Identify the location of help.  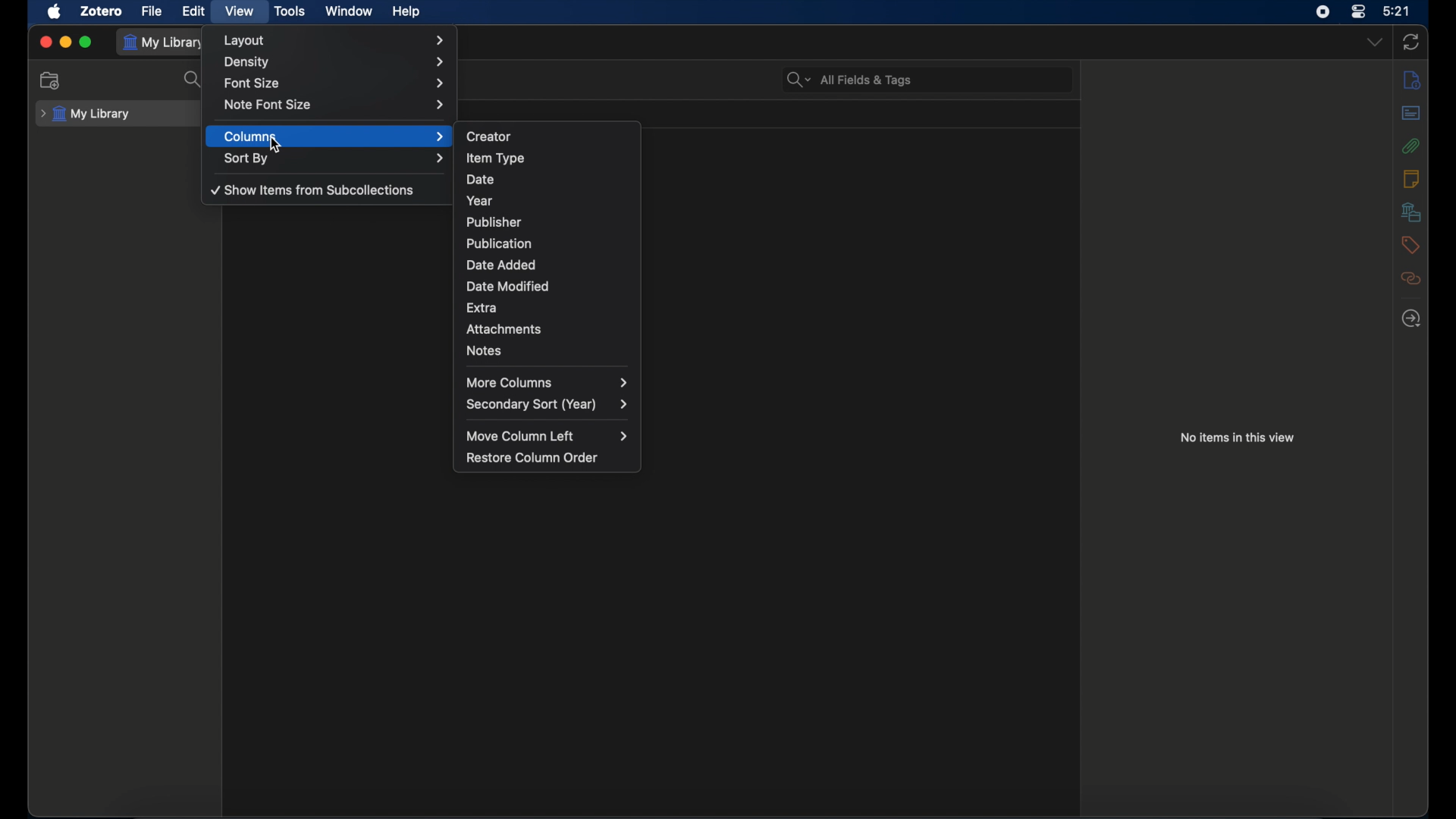
(406, 11).